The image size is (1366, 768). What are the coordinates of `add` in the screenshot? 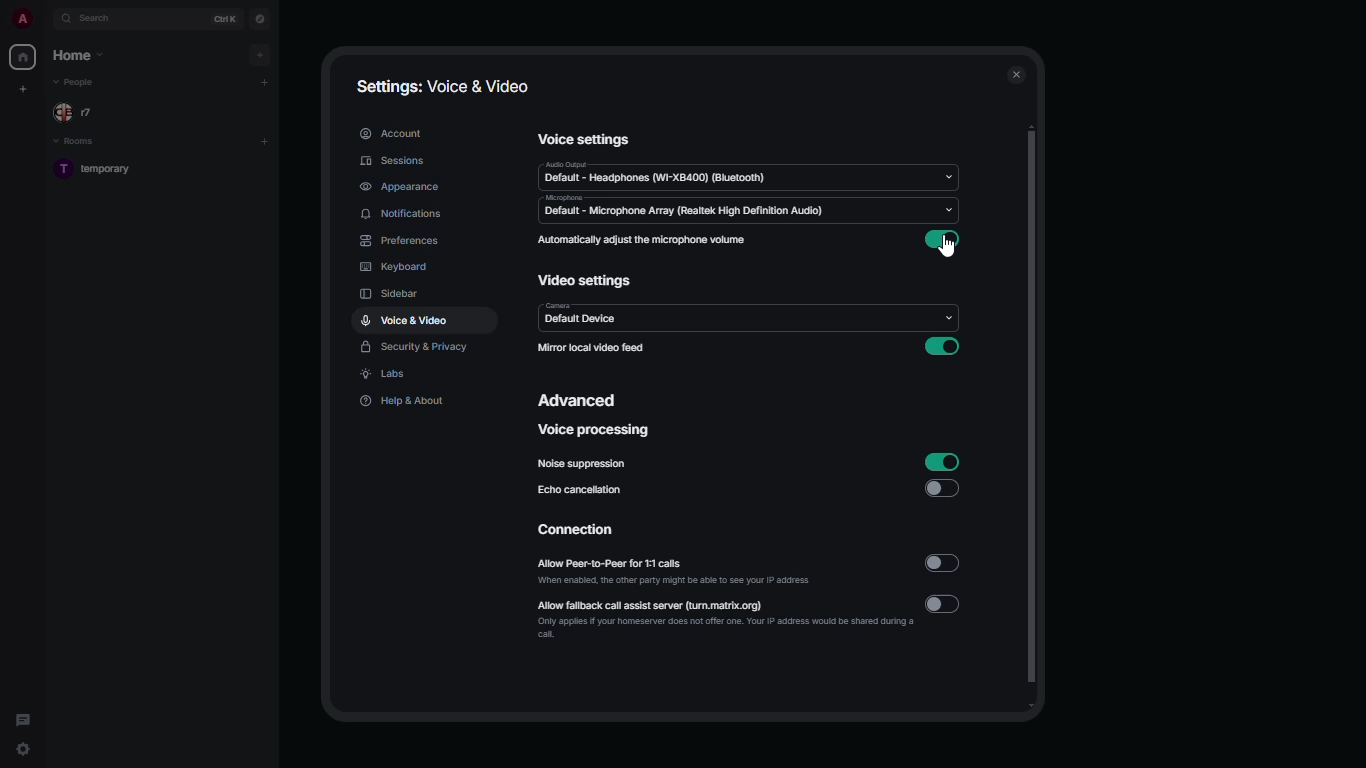 It's located at (262, 55).